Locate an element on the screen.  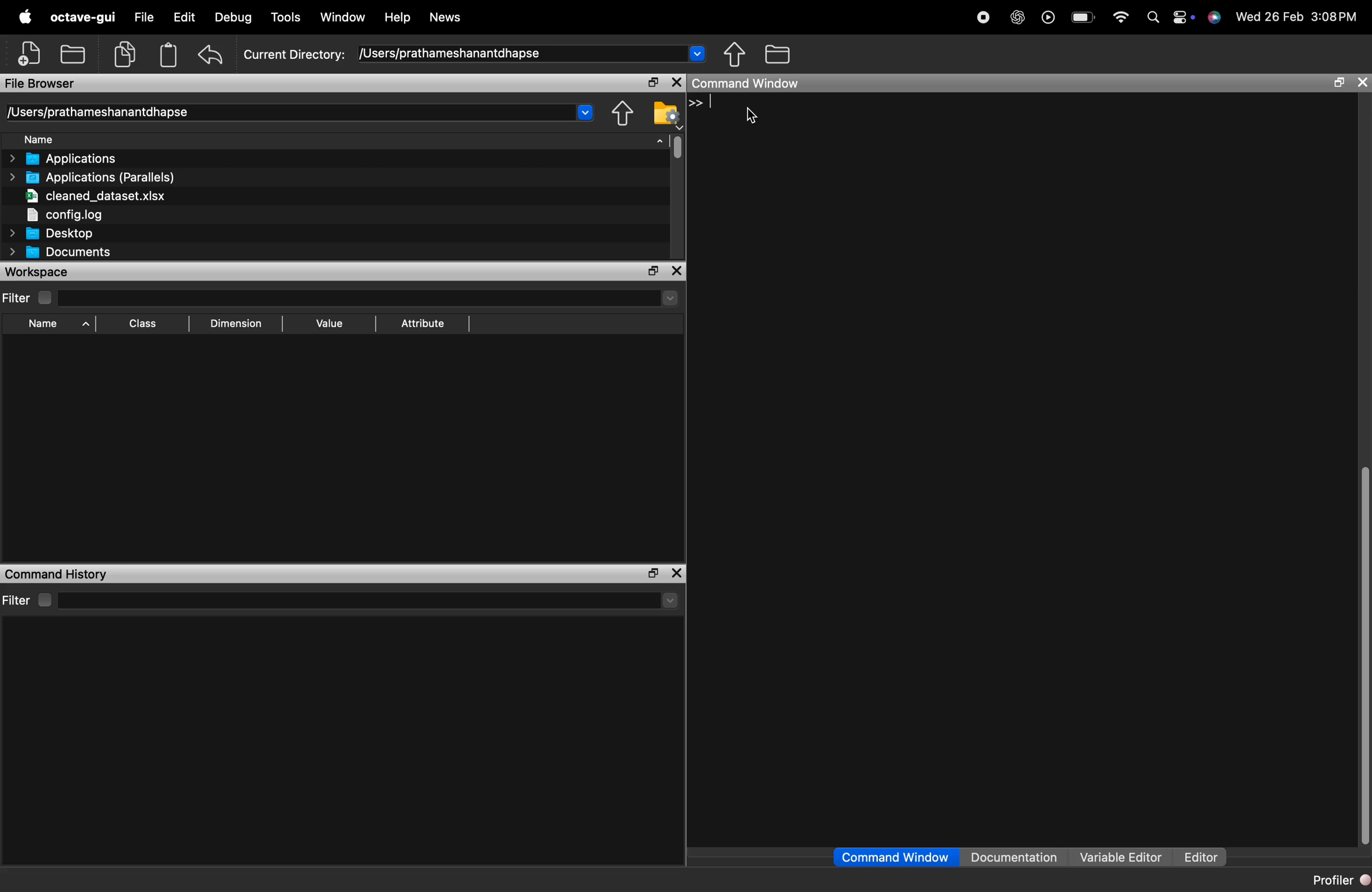
vertical scrollbar is located at coordinates (673, 147).